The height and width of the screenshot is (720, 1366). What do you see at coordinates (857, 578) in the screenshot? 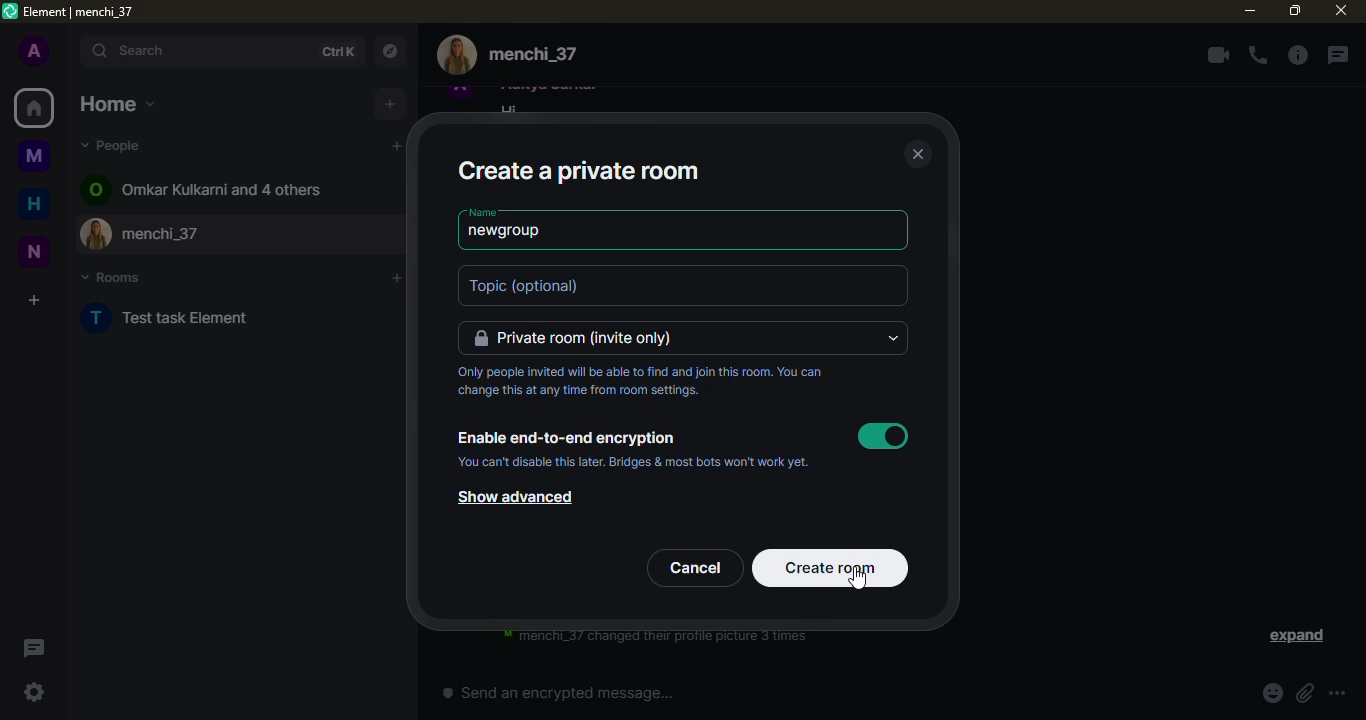
I see `Cursor` at bounding box center [857, 578].